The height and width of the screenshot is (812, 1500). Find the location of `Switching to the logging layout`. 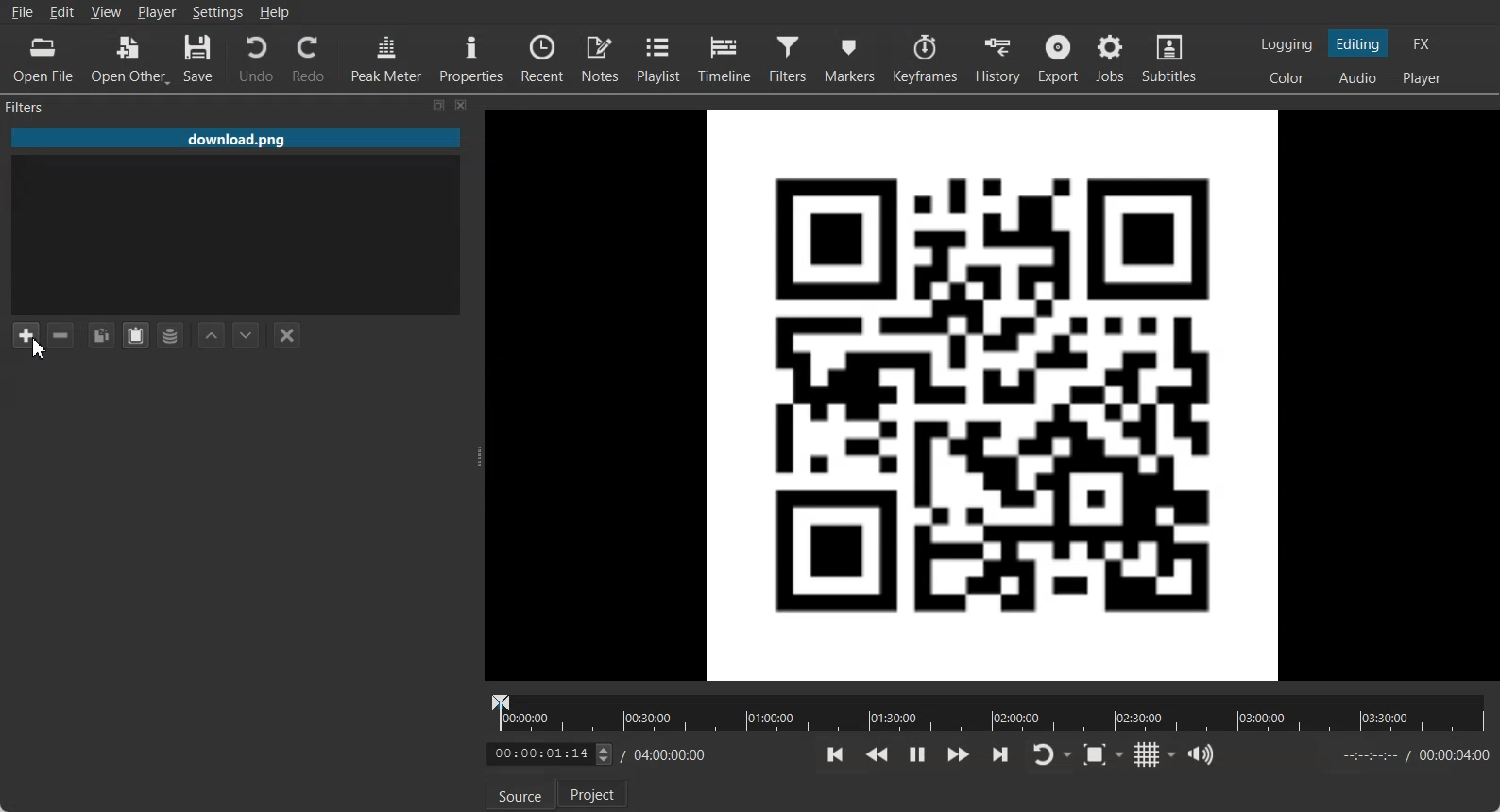

Switching to the logging layout is located at coordinates (1287, 44).